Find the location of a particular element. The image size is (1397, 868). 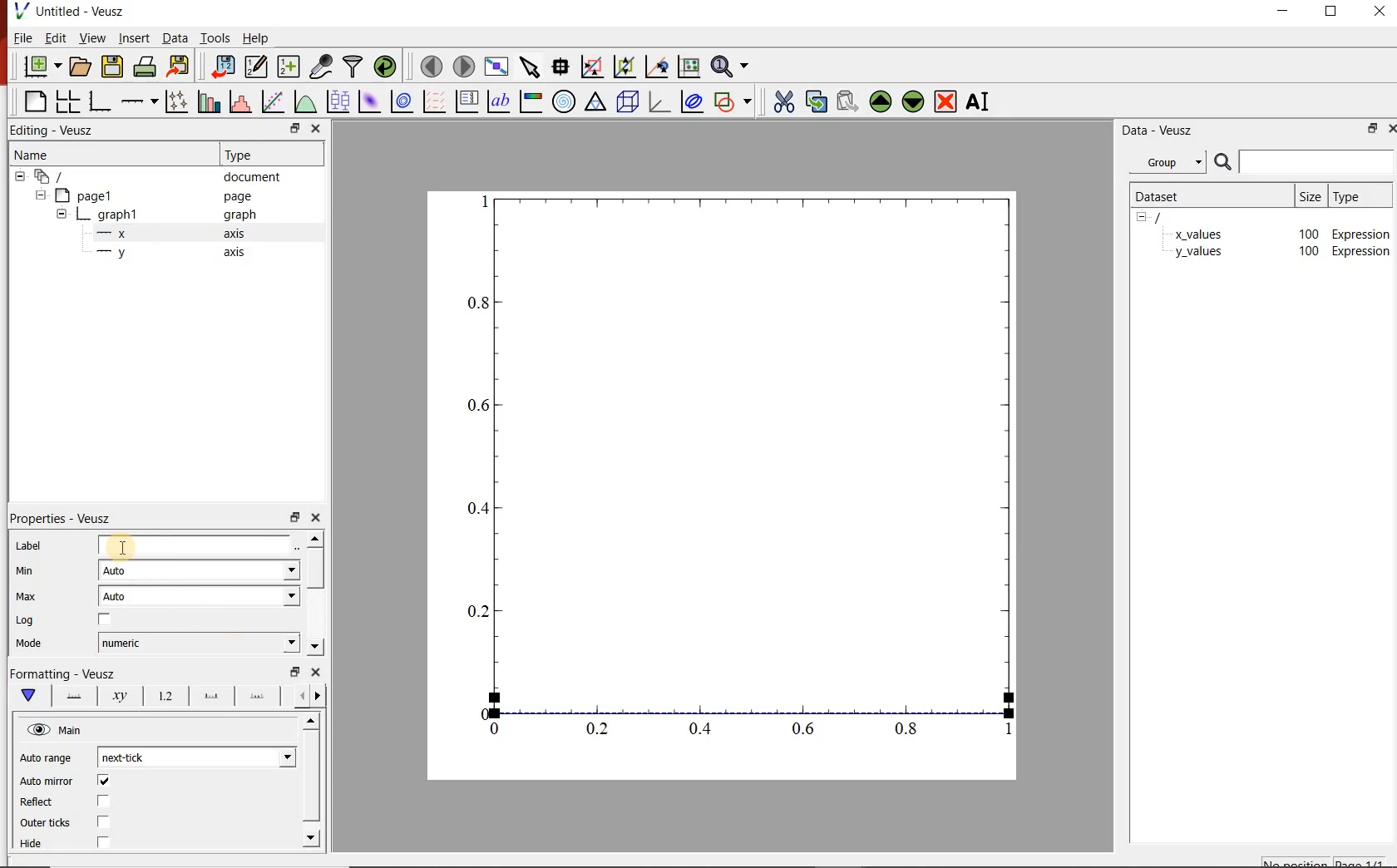

close is located at coordinates (1382, 13).